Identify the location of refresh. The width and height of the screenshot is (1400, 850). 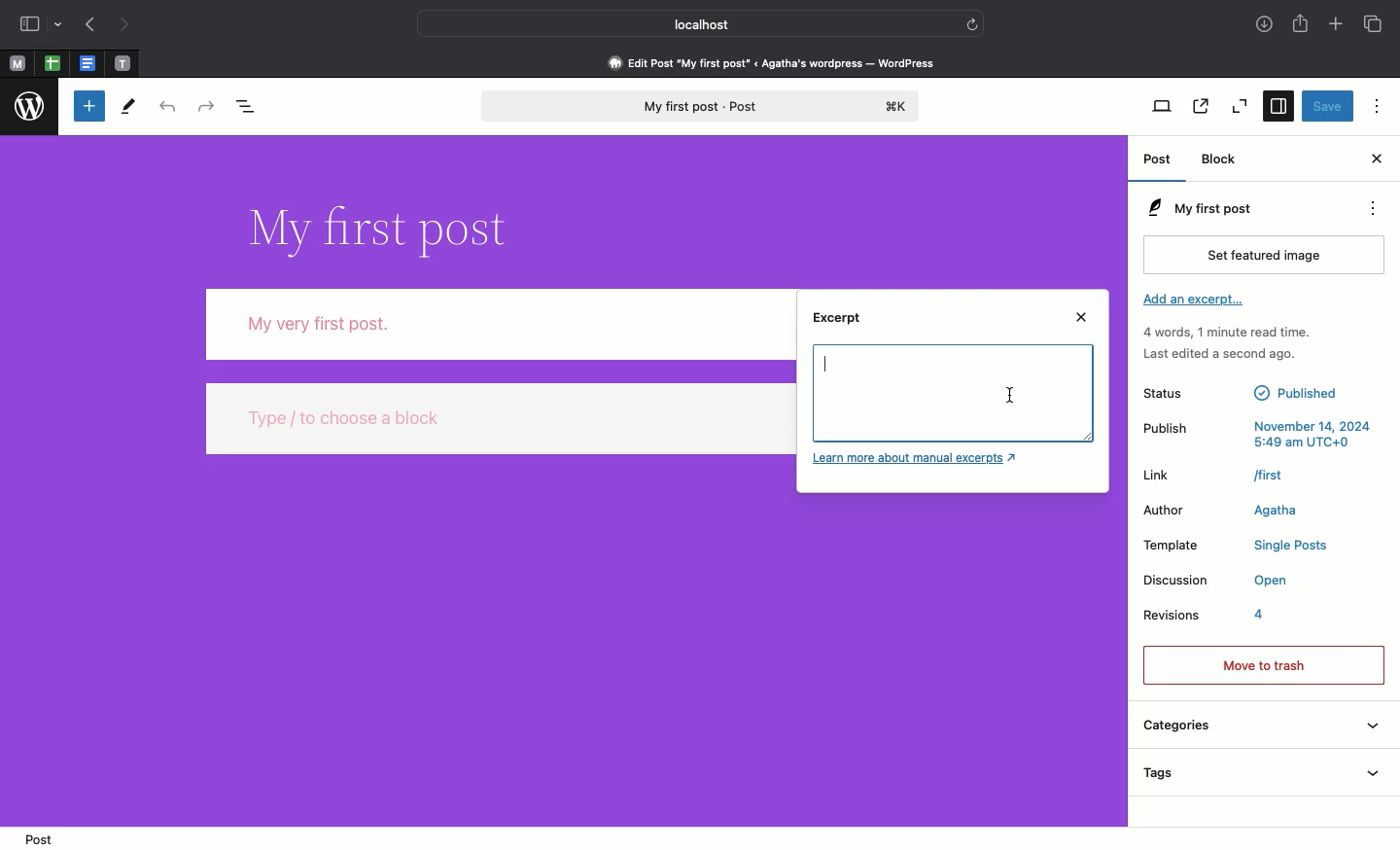
(975, 21).